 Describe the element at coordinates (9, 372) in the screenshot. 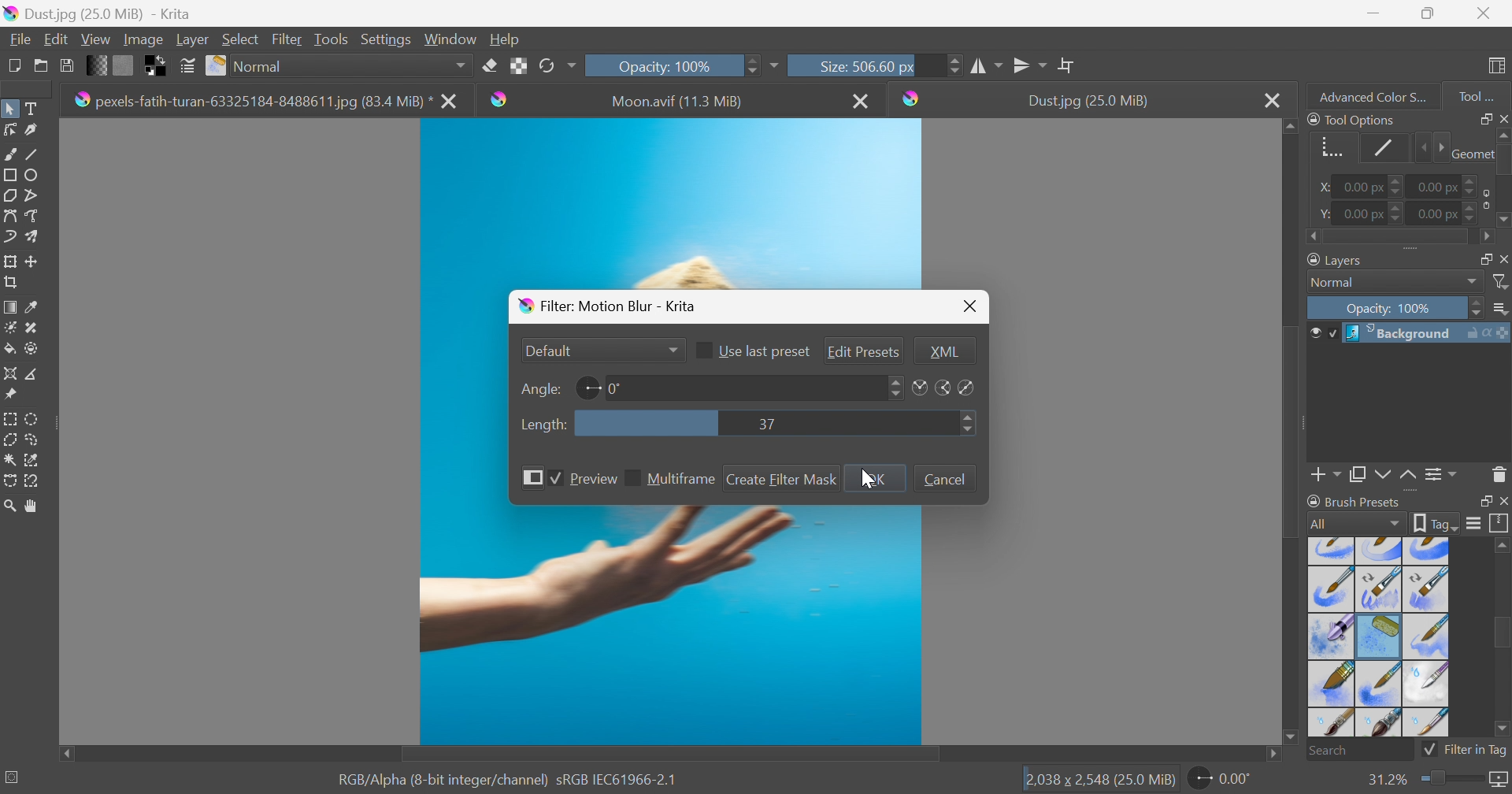

I see `Assistant tool` at that location.